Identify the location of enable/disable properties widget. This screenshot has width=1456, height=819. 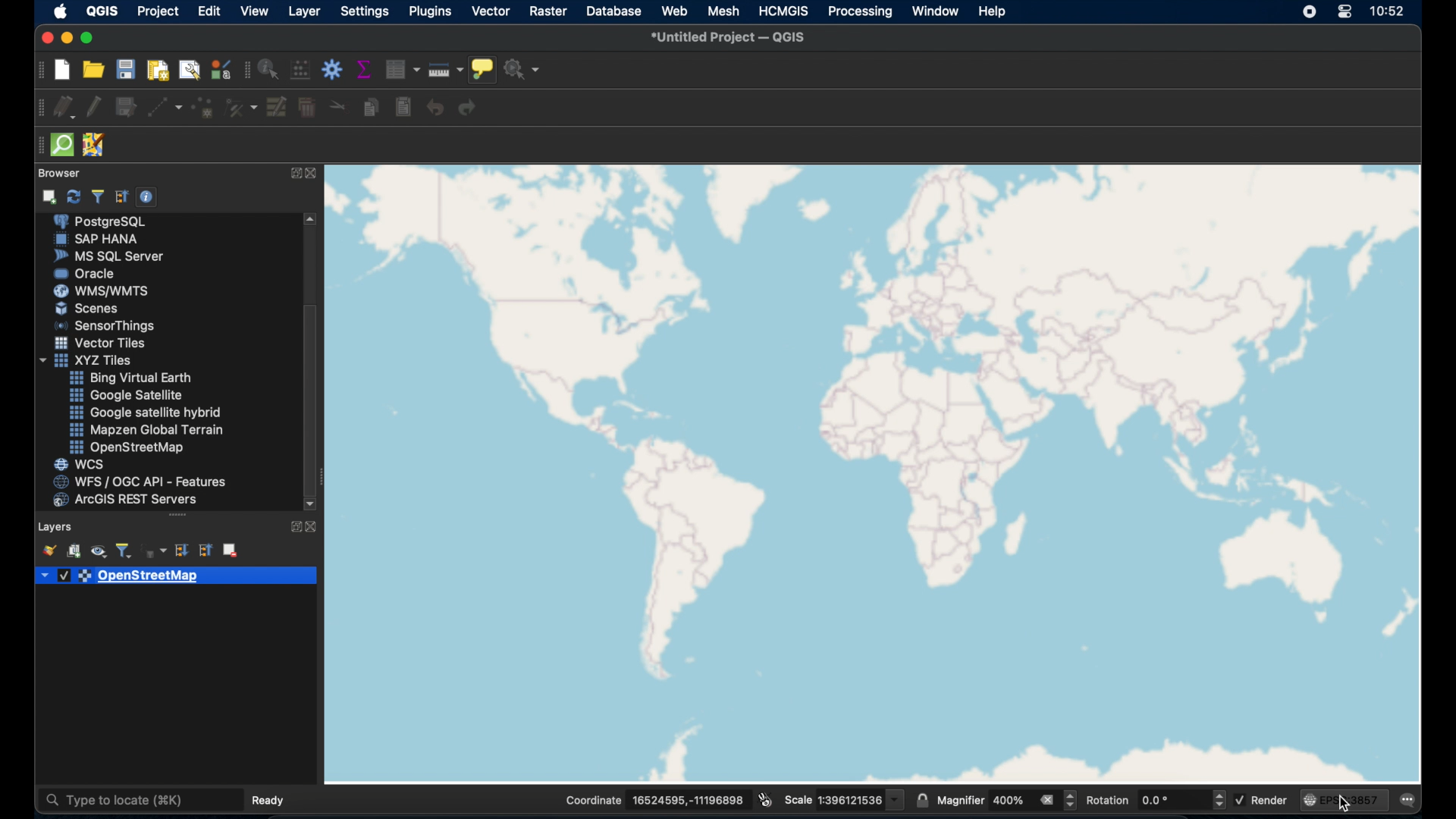
(149, 197).